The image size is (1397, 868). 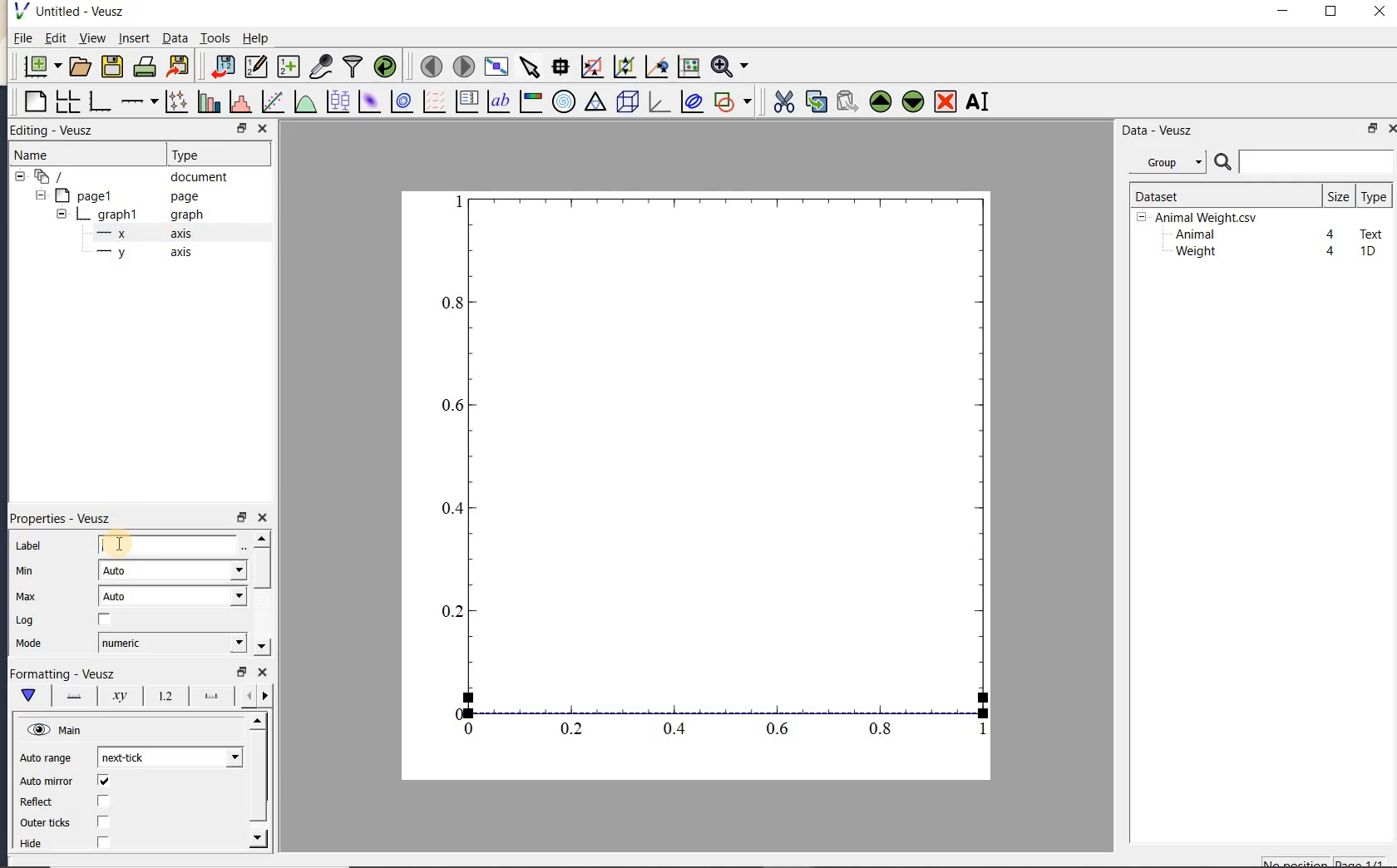 I want to click on open a document, so click(x=78, y=67).